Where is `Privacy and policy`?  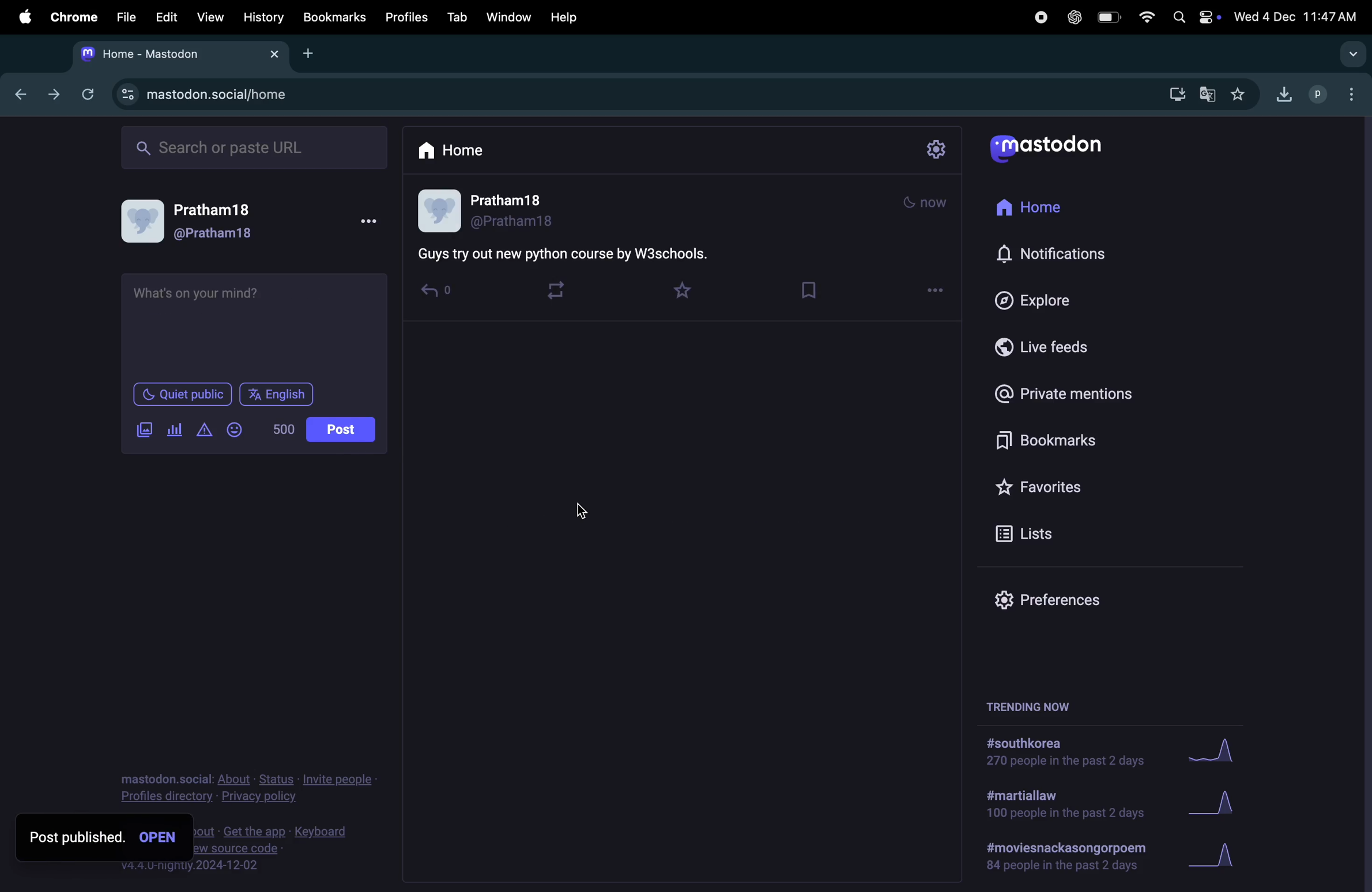 Privacy and policy is located at coordinates (248, 786).